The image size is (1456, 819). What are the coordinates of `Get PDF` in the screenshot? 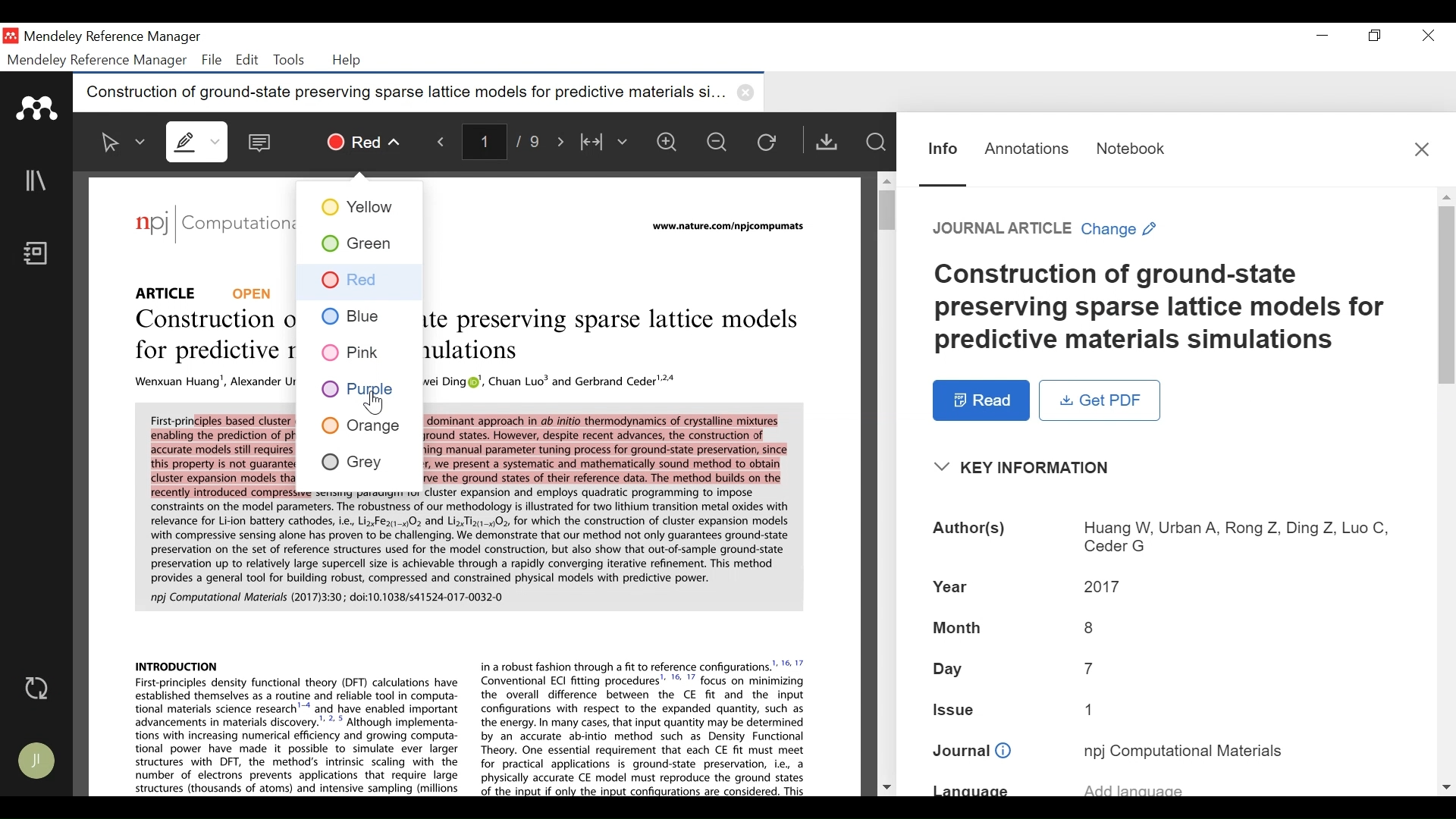 It's located at (831, 141).